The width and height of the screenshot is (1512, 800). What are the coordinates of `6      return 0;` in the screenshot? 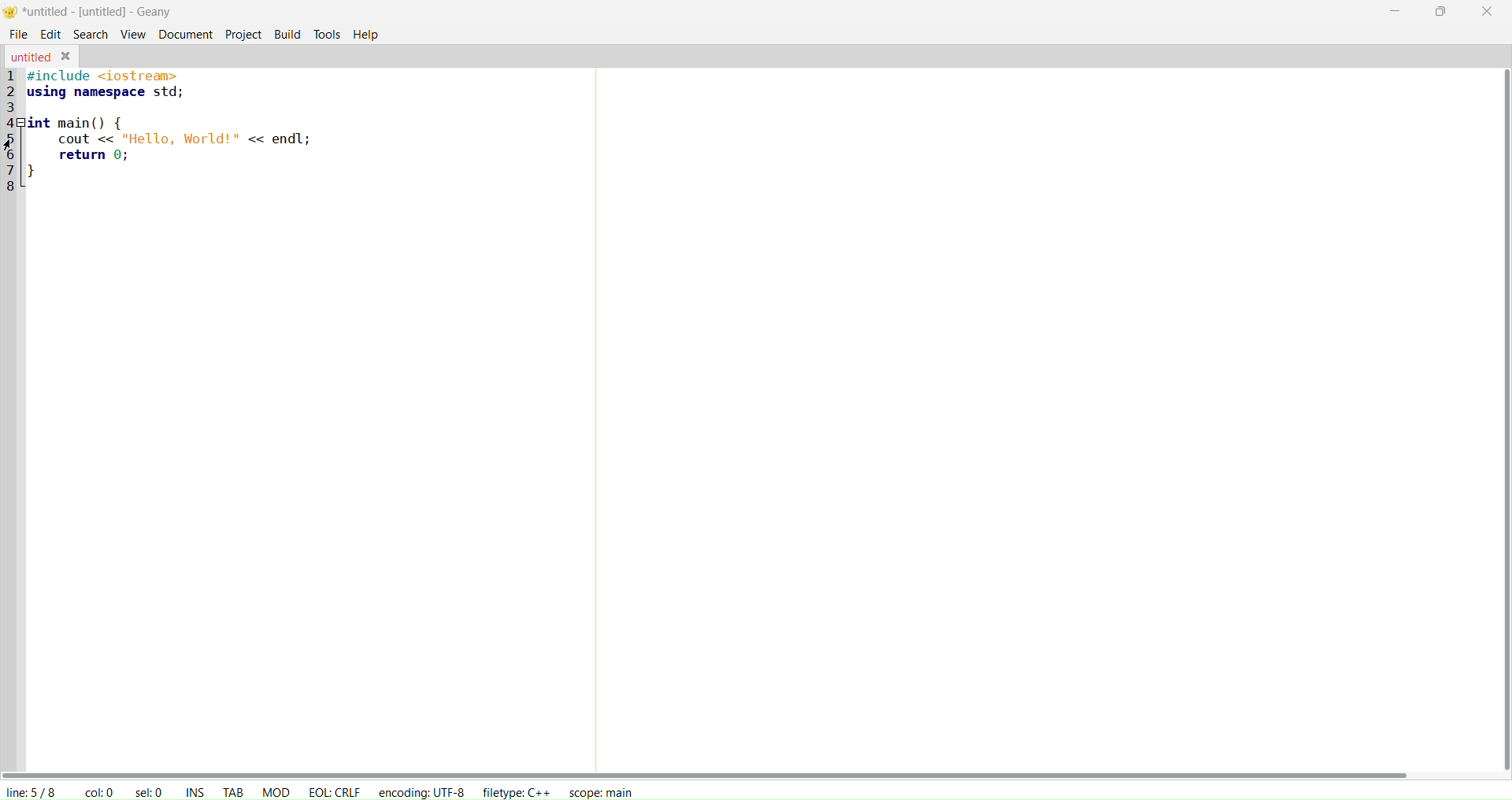 It's located at (82, 157).